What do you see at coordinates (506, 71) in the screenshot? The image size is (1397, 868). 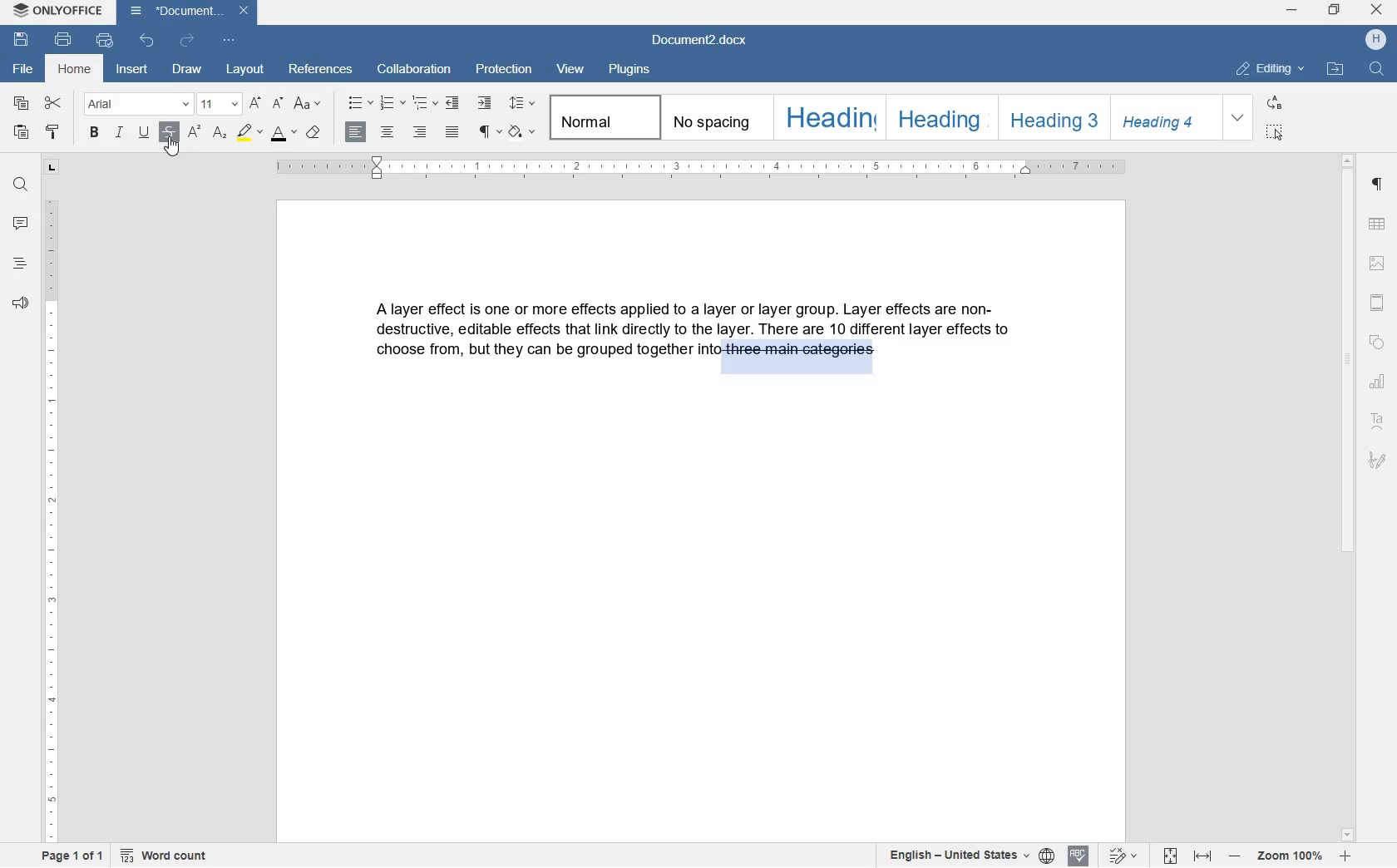 I see `protection` at bounding box center [506, 71].